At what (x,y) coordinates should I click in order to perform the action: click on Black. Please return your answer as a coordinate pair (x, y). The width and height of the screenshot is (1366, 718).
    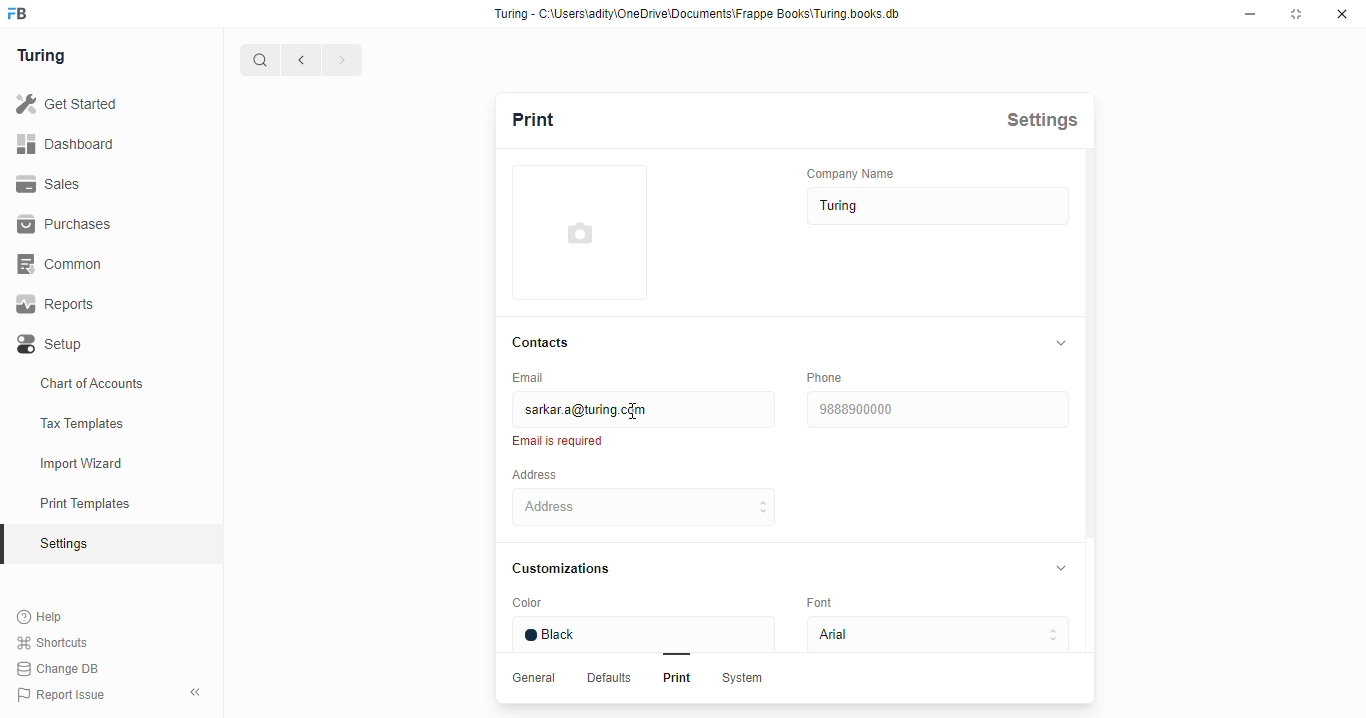
    Looking at the image, I should click on (648, 634).